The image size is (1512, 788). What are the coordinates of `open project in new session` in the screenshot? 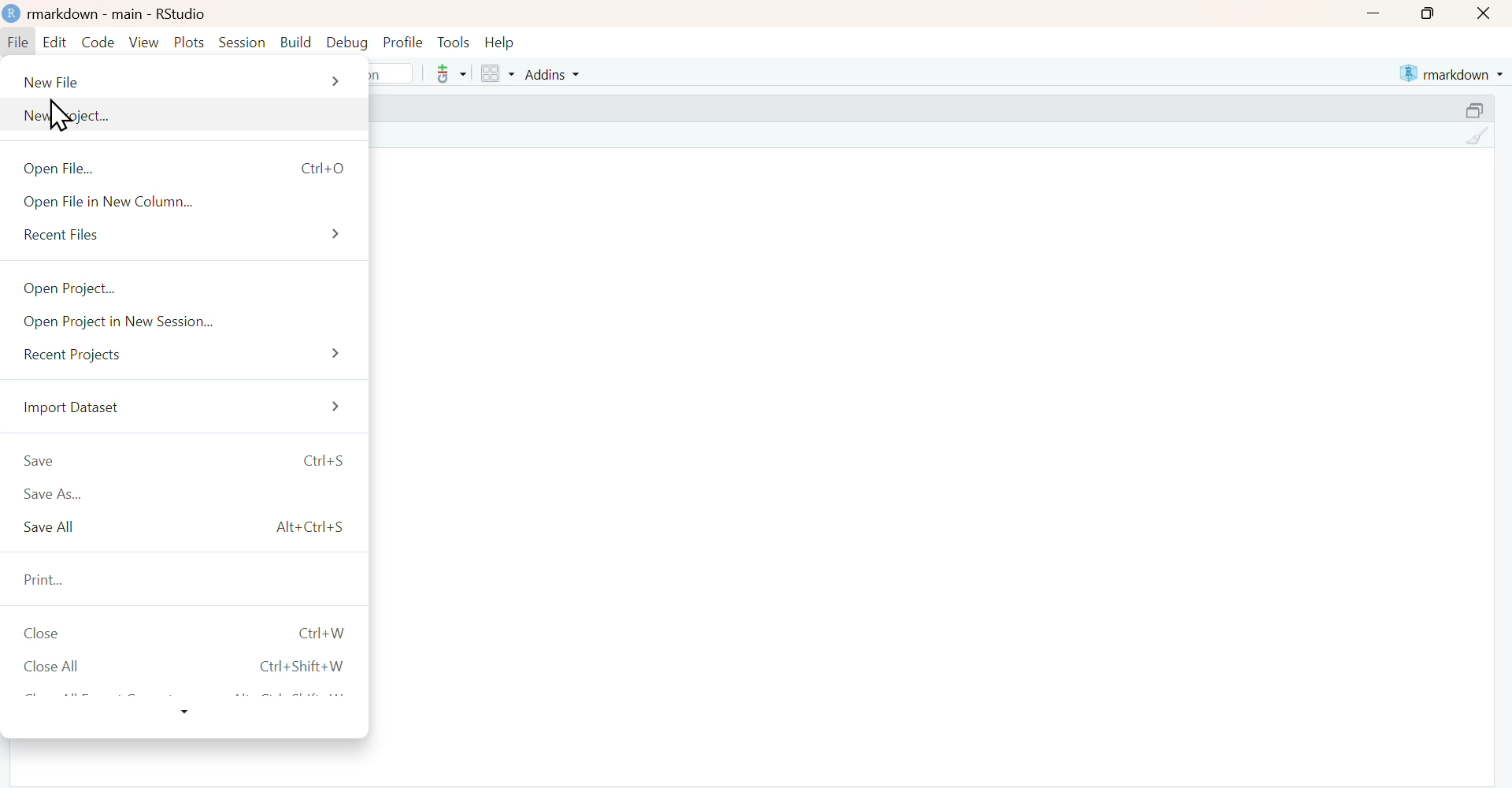 It's located at (191, 324).